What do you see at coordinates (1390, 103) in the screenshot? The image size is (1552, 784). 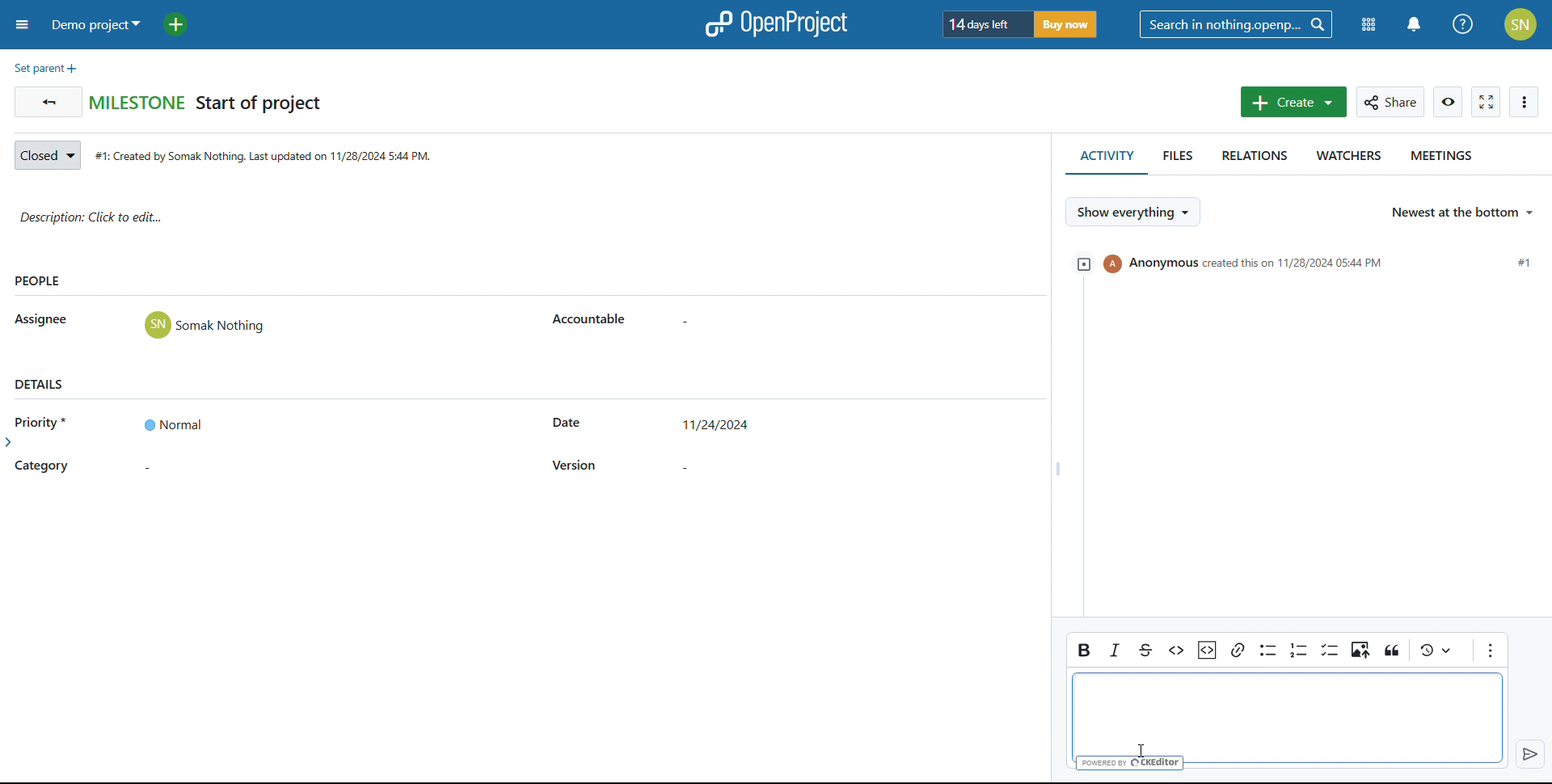 I see `share` at bounding box center [1390, 103].